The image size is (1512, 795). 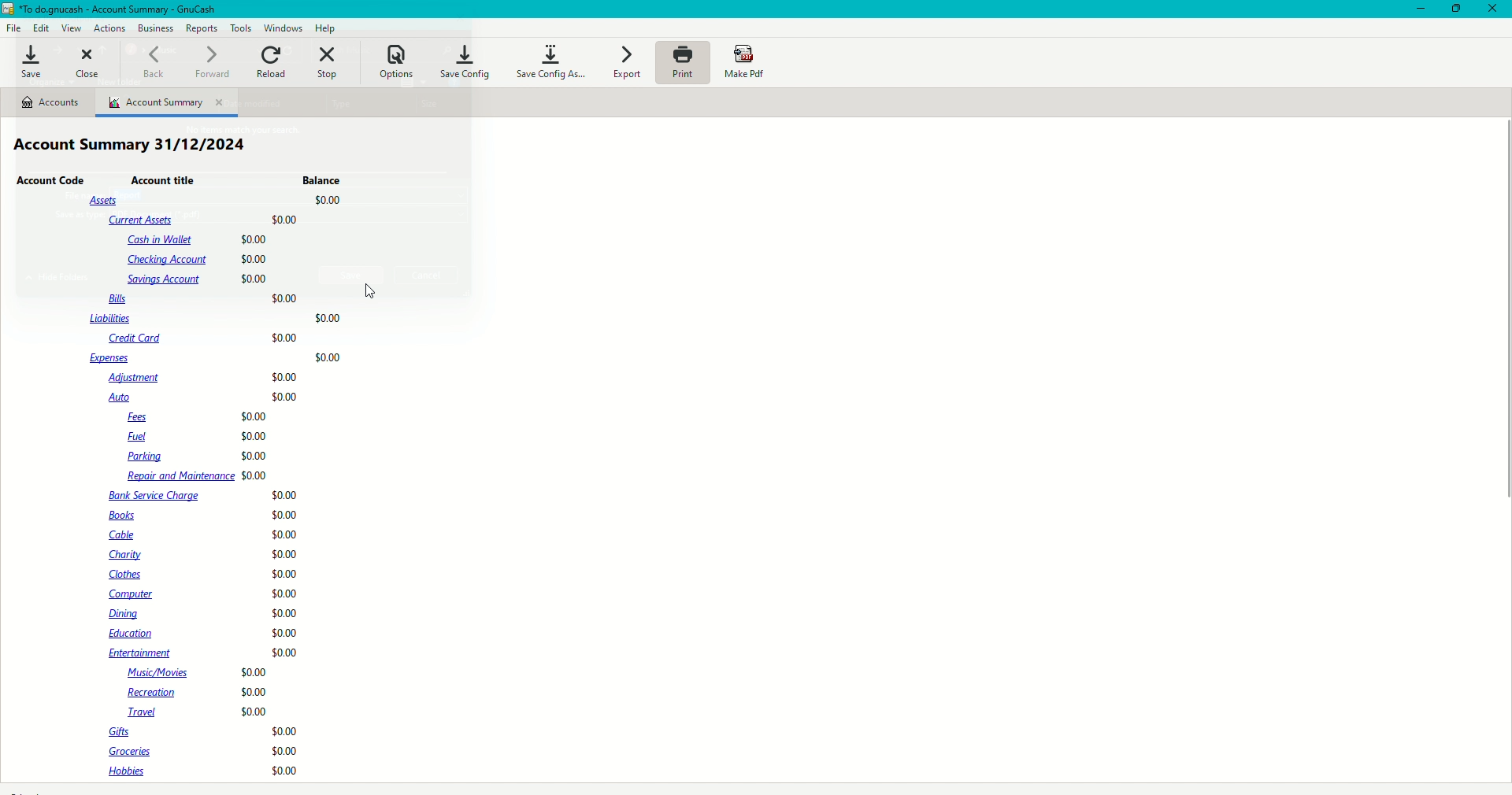 I want to click on Business, so click(x=157, y=29).